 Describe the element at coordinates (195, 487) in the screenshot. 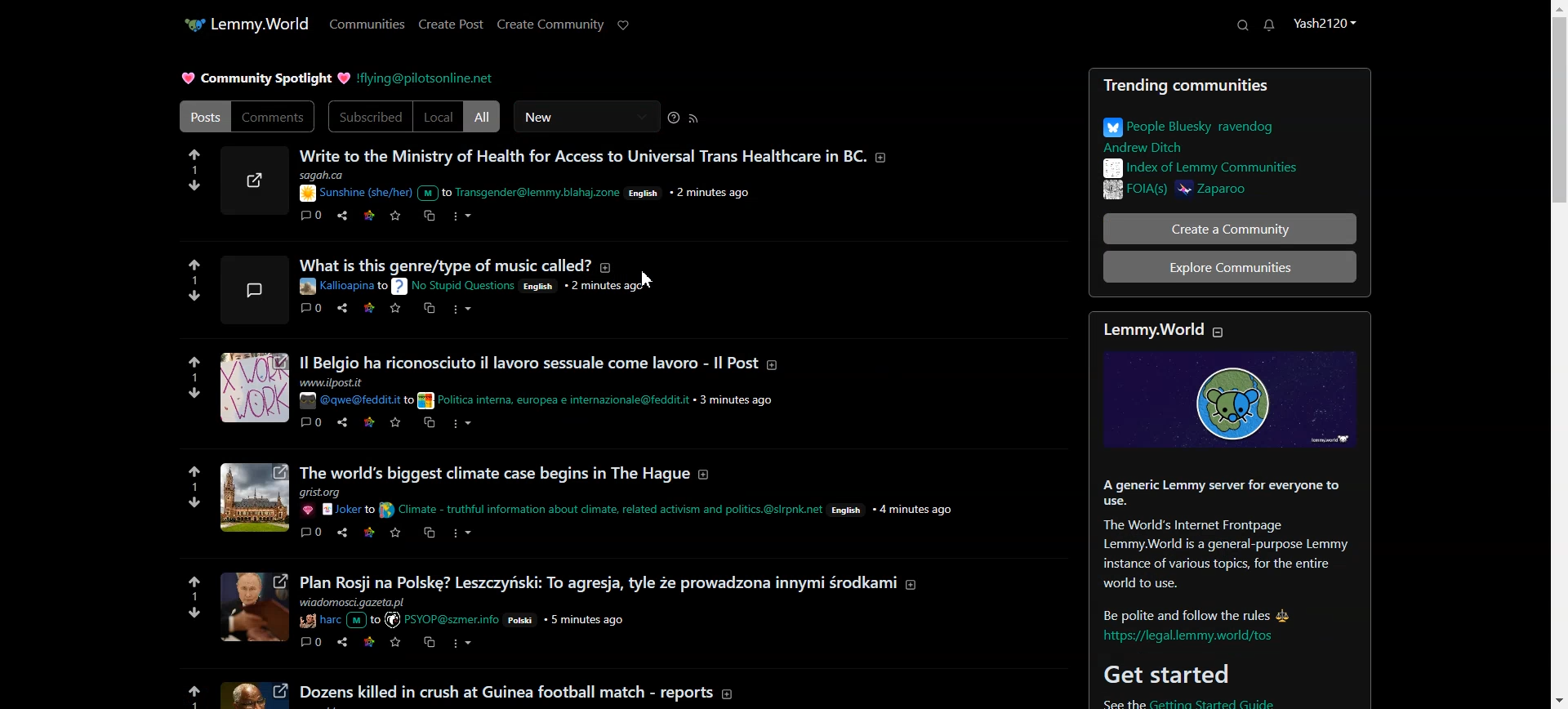

I see `1` at that location.